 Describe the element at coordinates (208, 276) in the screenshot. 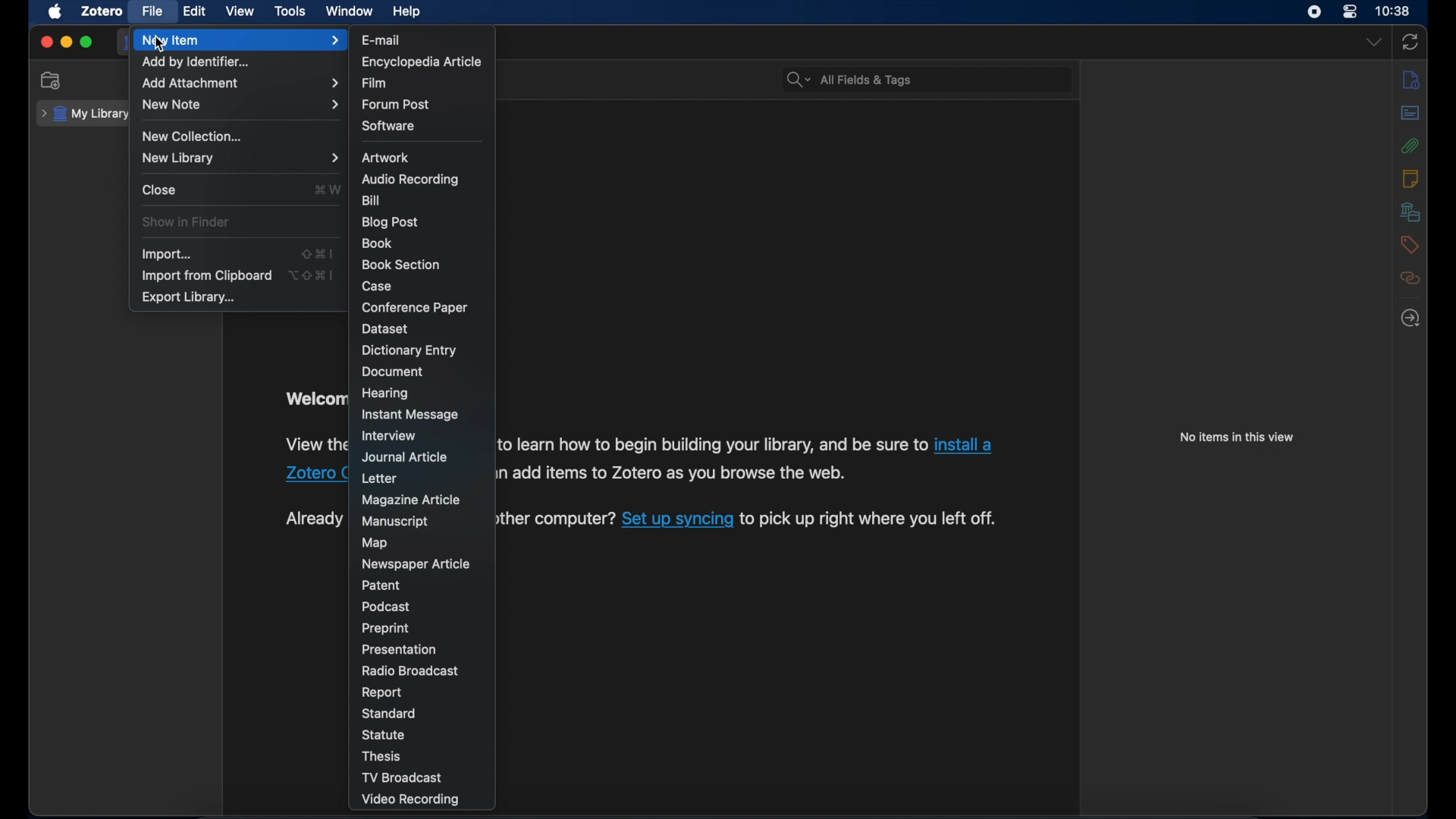

I see `import from clipboard` at that location.